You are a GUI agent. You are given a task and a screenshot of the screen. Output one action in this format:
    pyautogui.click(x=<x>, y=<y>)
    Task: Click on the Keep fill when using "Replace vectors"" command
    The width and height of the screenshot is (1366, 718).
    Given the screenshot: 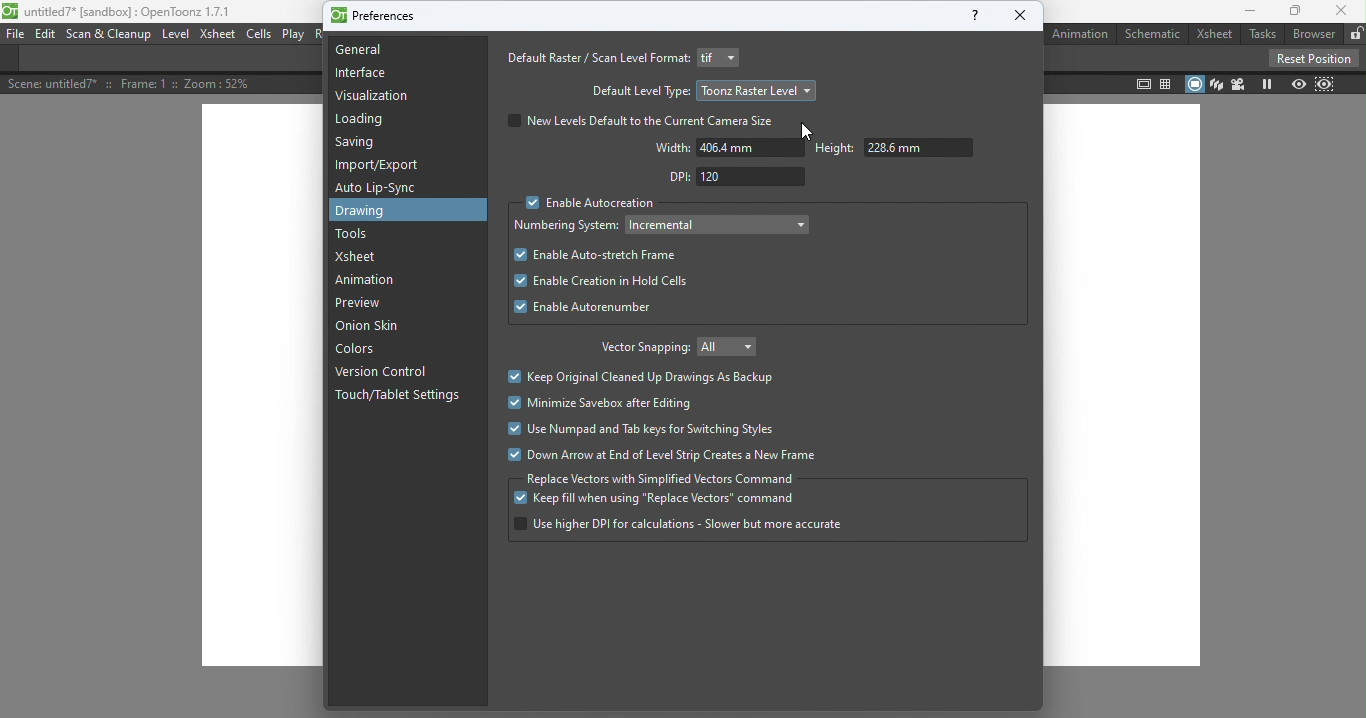 What is the action you would take?
    pyautogui.click(x=664, y=500)
    